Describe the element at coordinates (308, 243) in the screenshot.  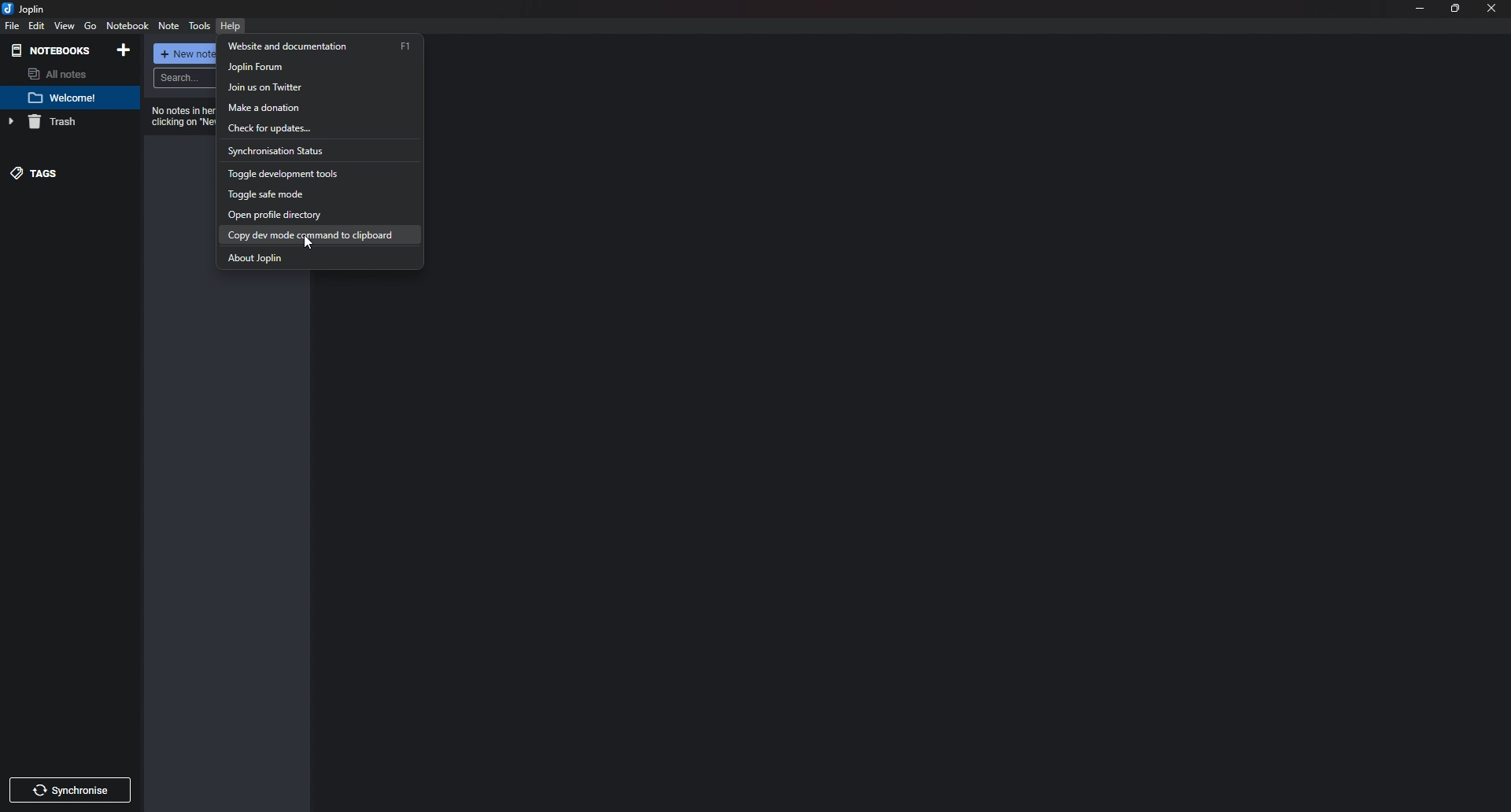
I see `cursor` at that location.